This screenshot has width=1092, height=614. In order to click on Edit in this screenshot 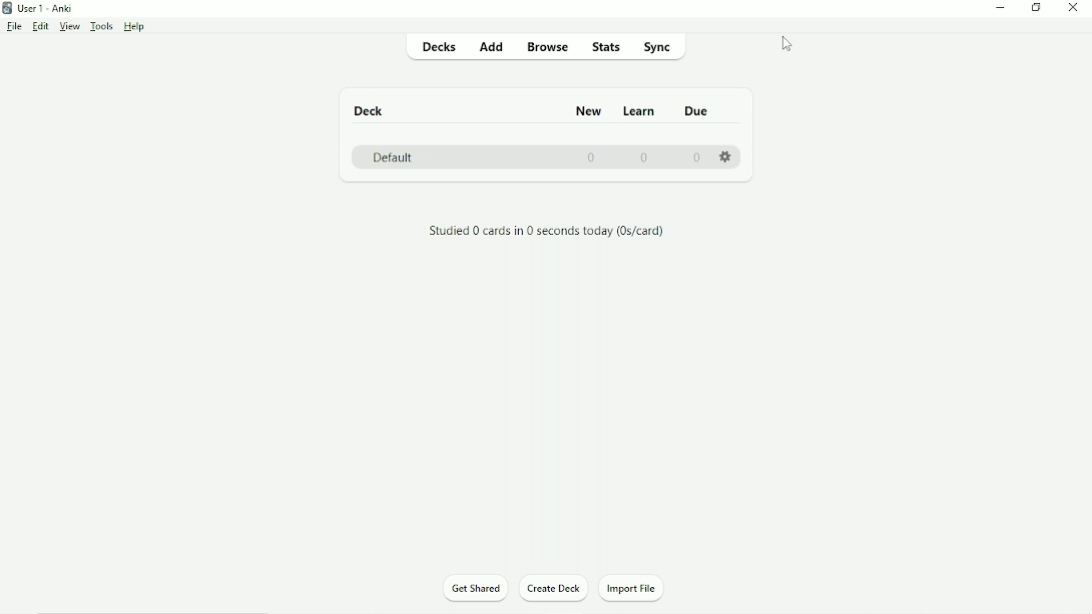, I will do `click(41, 27)`.